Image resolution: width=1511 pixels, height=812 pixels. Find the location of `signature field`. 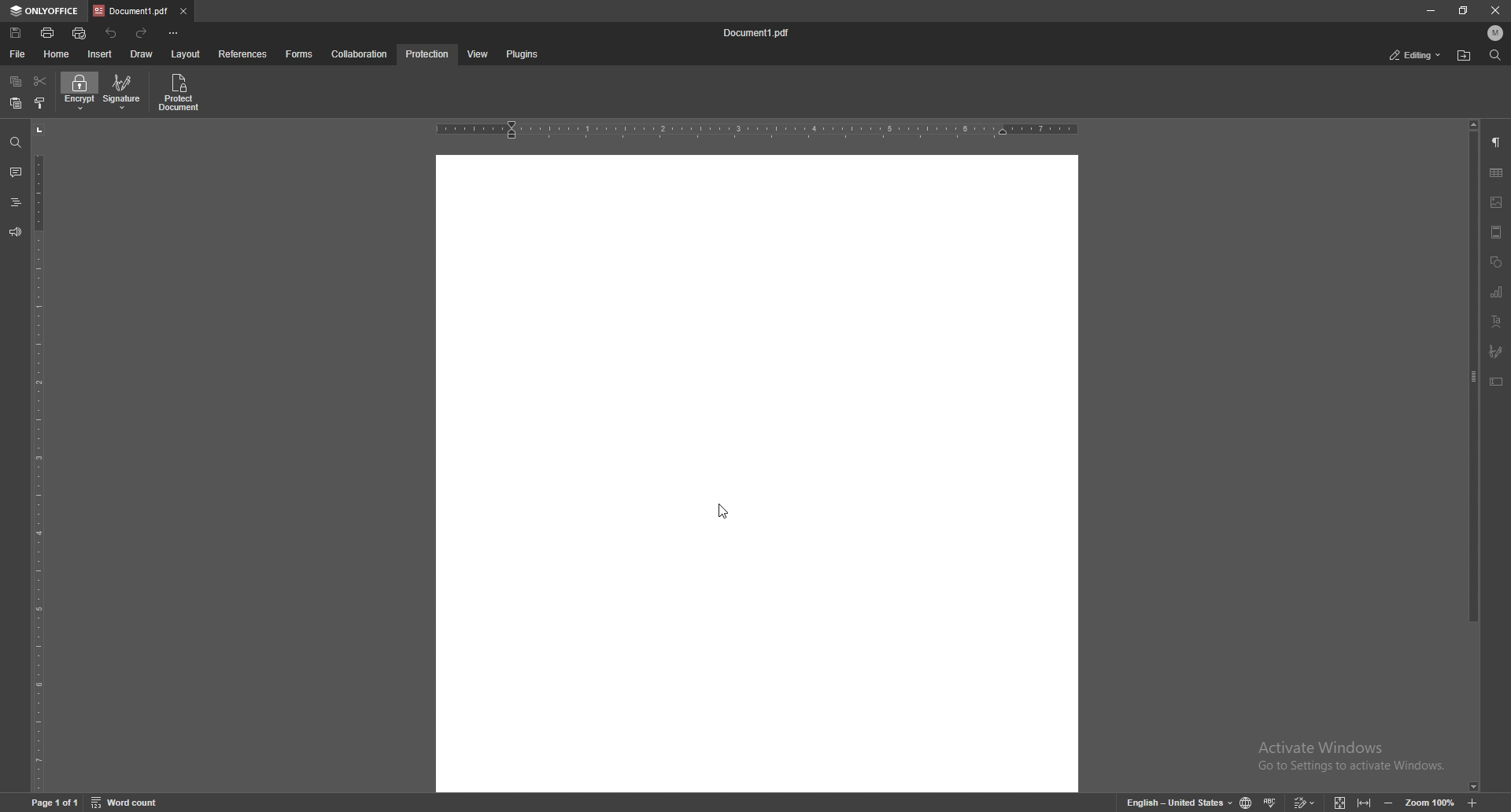

signature field is located at coordinates (1497, 350).